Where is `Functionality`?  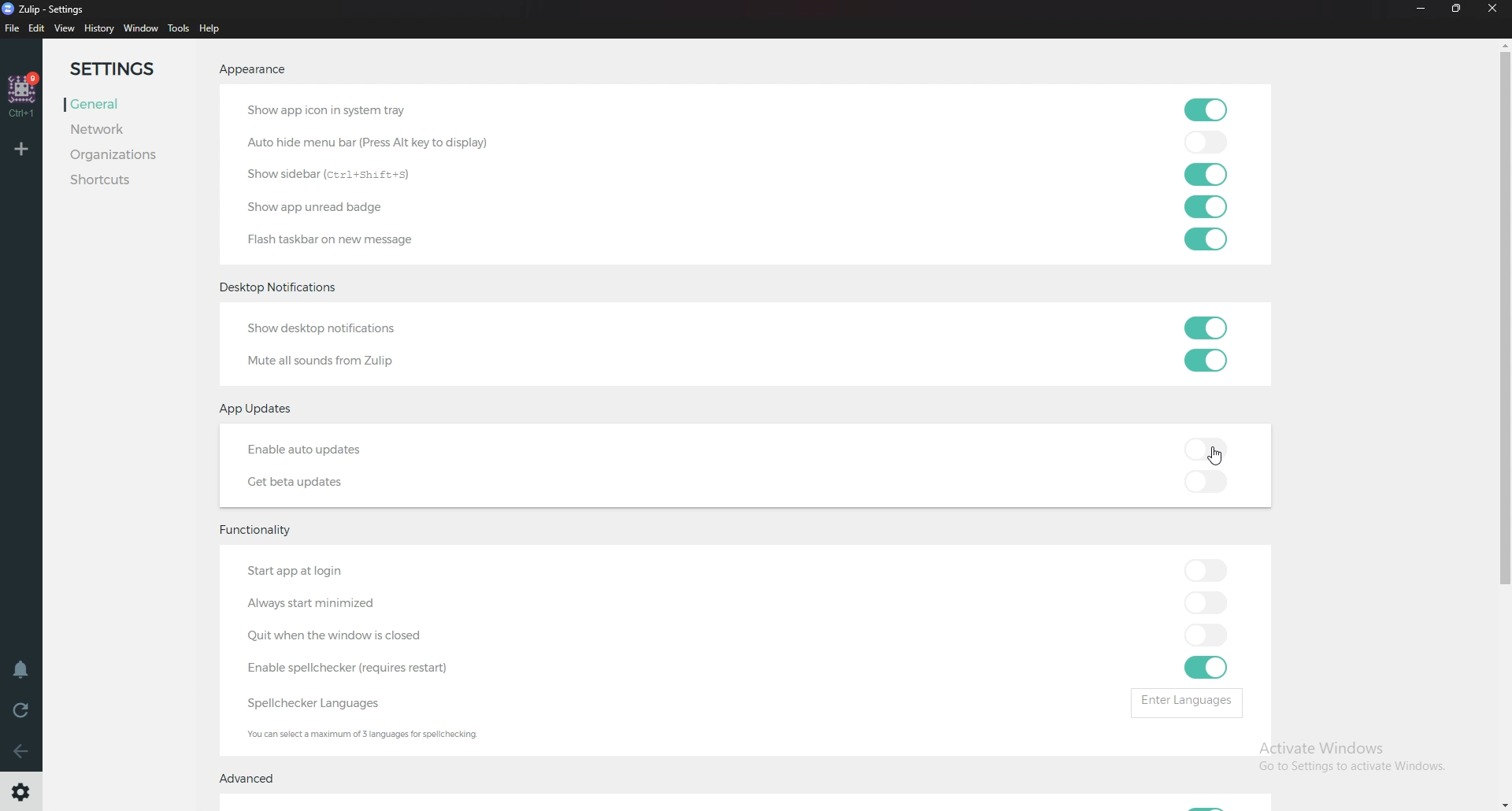
Functionality is located at coordinates (261, 533).